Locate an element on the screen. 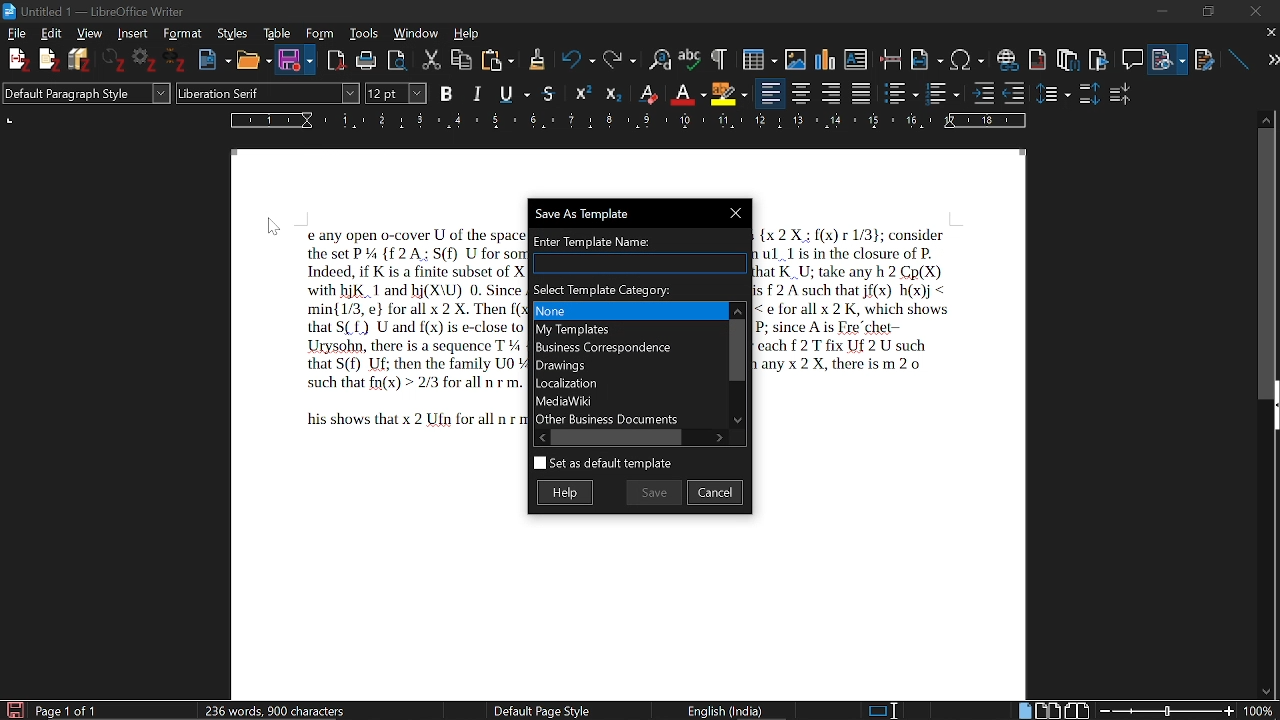  Align right is located at coordinates (833, 92).